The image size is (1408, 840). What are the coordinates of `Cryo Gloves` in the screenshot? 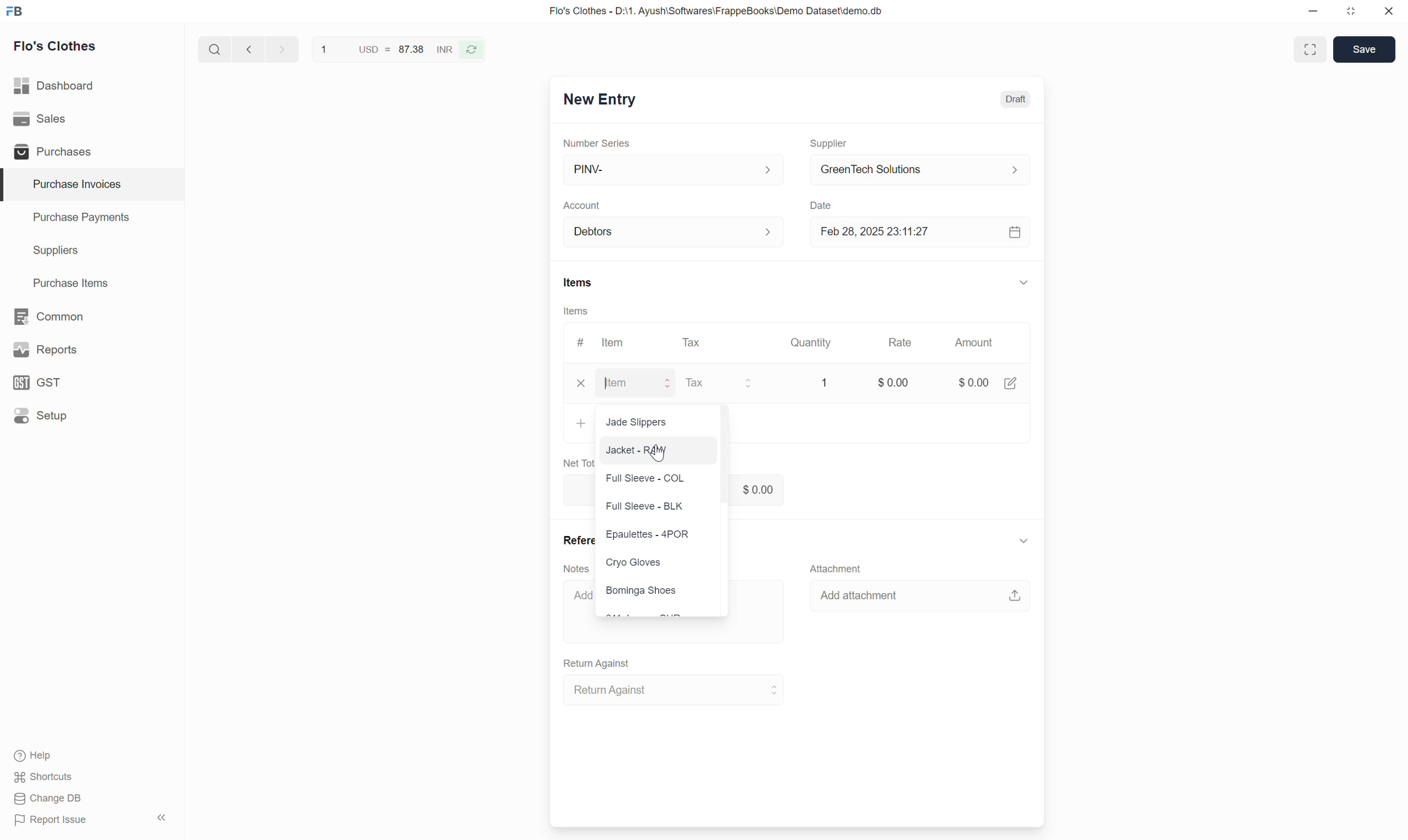 It's located at (656, 563).